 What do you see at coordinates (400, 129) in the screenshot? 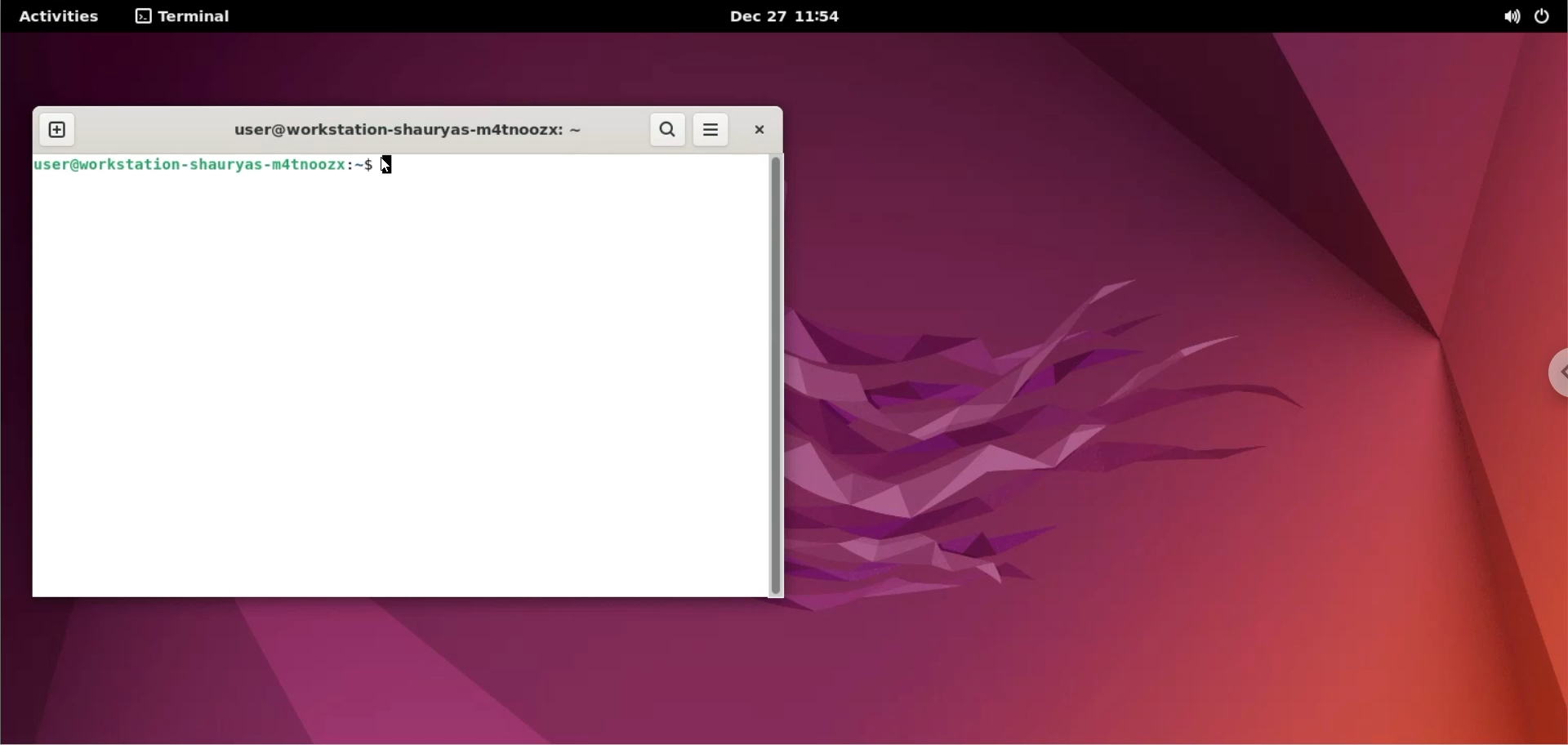
I see `terminal title: user@workstation-shauryas-m4tnoozx:~$ ` at bounding box center [400, 129].